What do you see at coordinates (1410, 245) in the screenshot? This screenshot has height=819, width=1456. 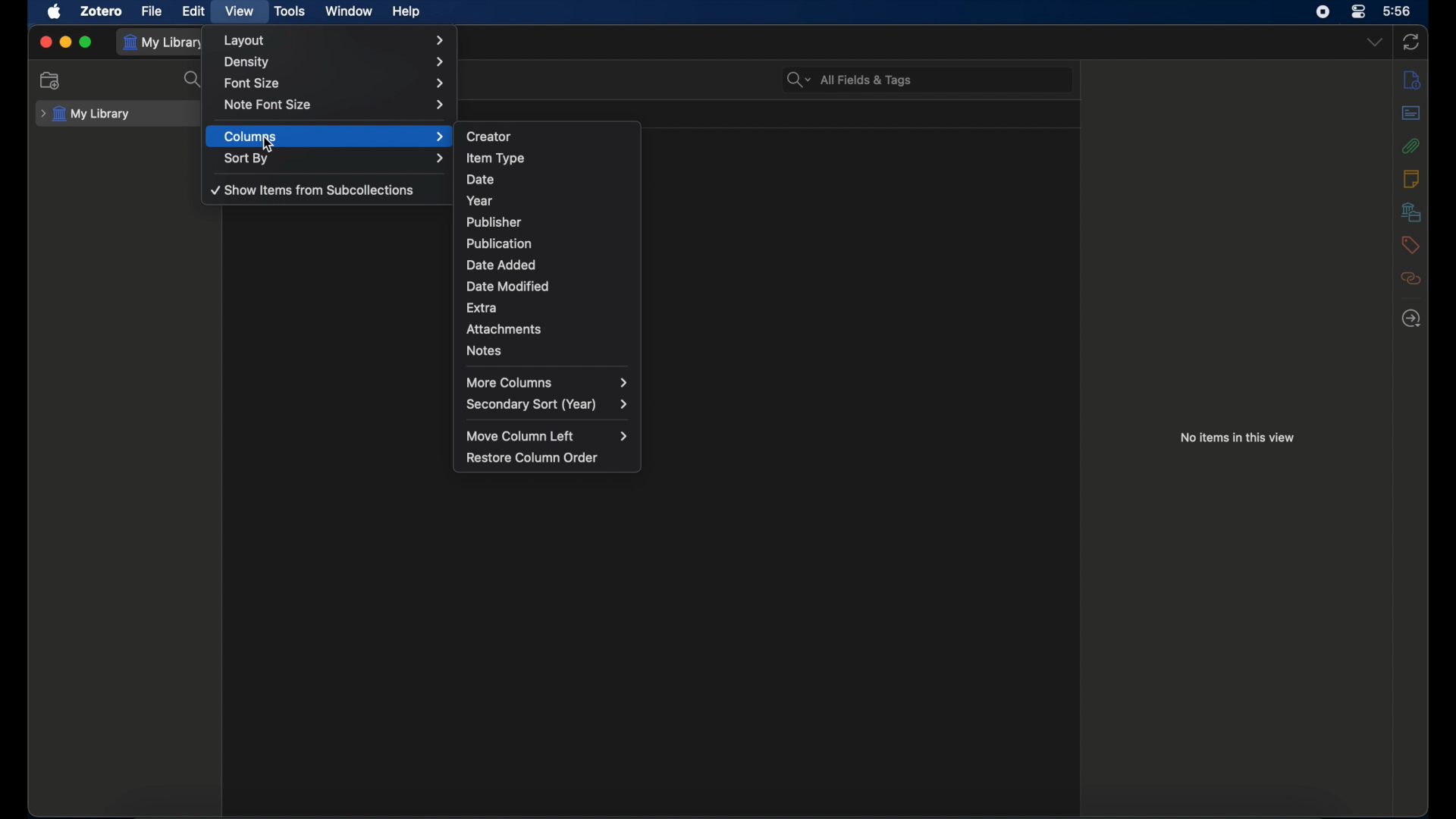 I see `tags` at bounding box center [1410, 245].